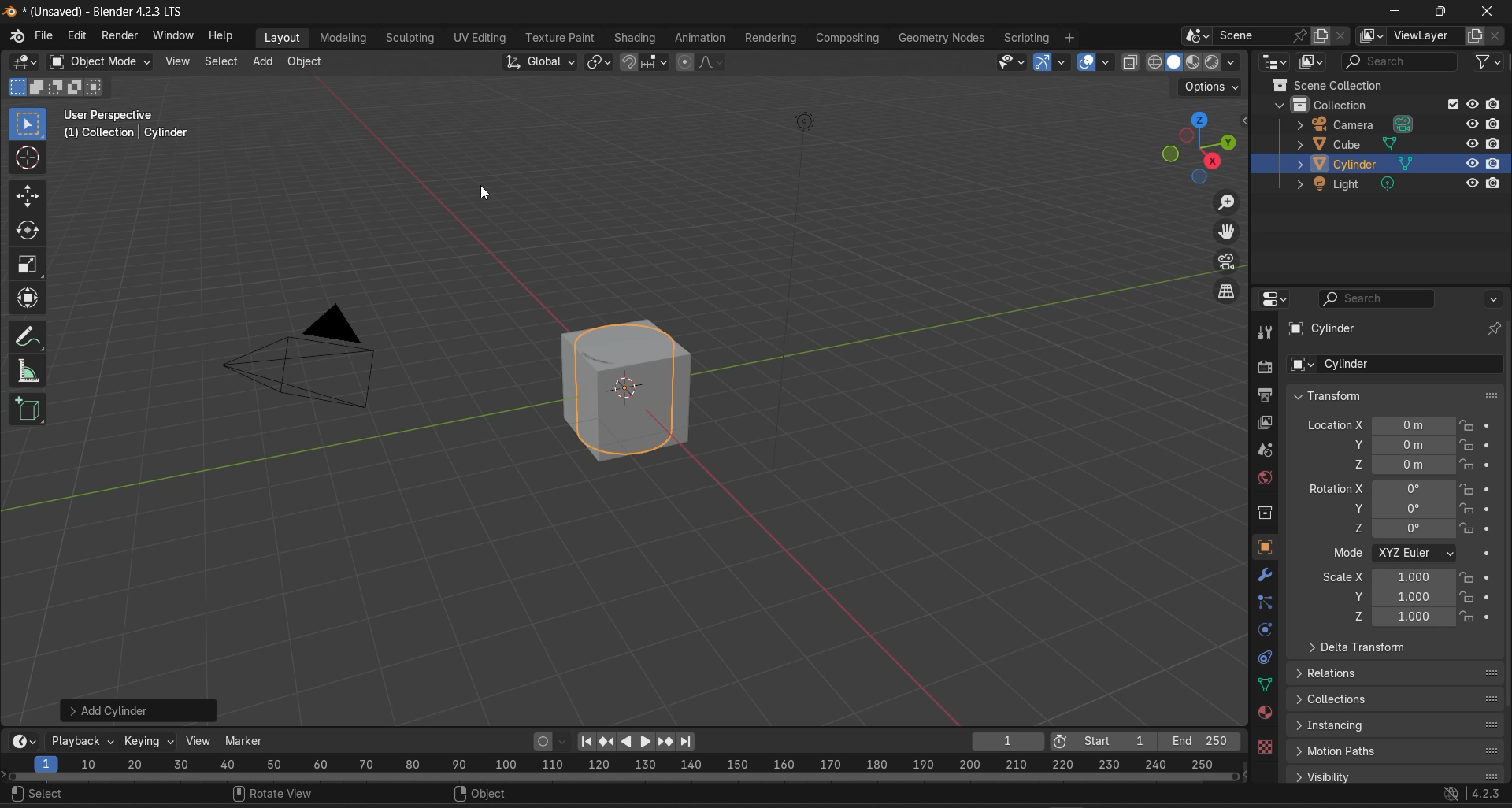 The width and height of the screenshot is (1512, 808). What do you see at coordinates (634, 391) in the screenshot?
I see `cube` at bounding box center [634, 391].